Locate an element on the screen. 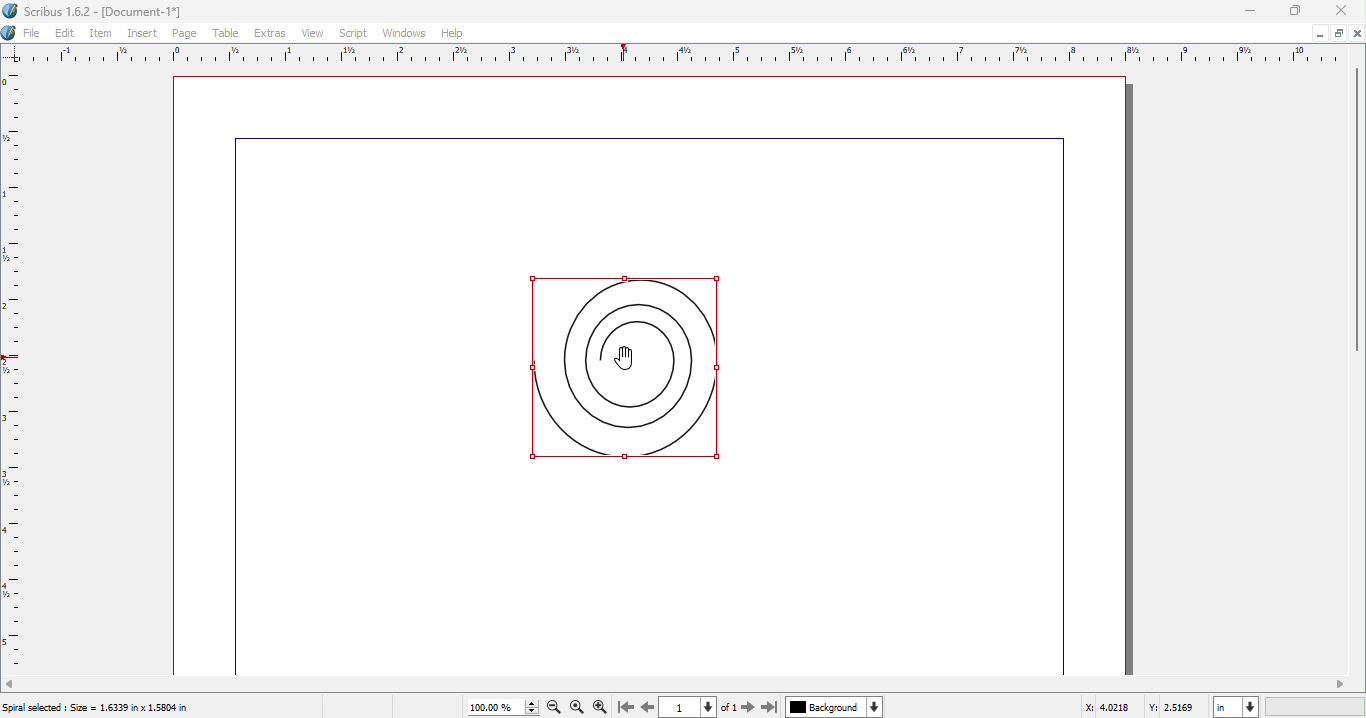 The image size is (1366, 718). change background is located at coordinates (875, 707).